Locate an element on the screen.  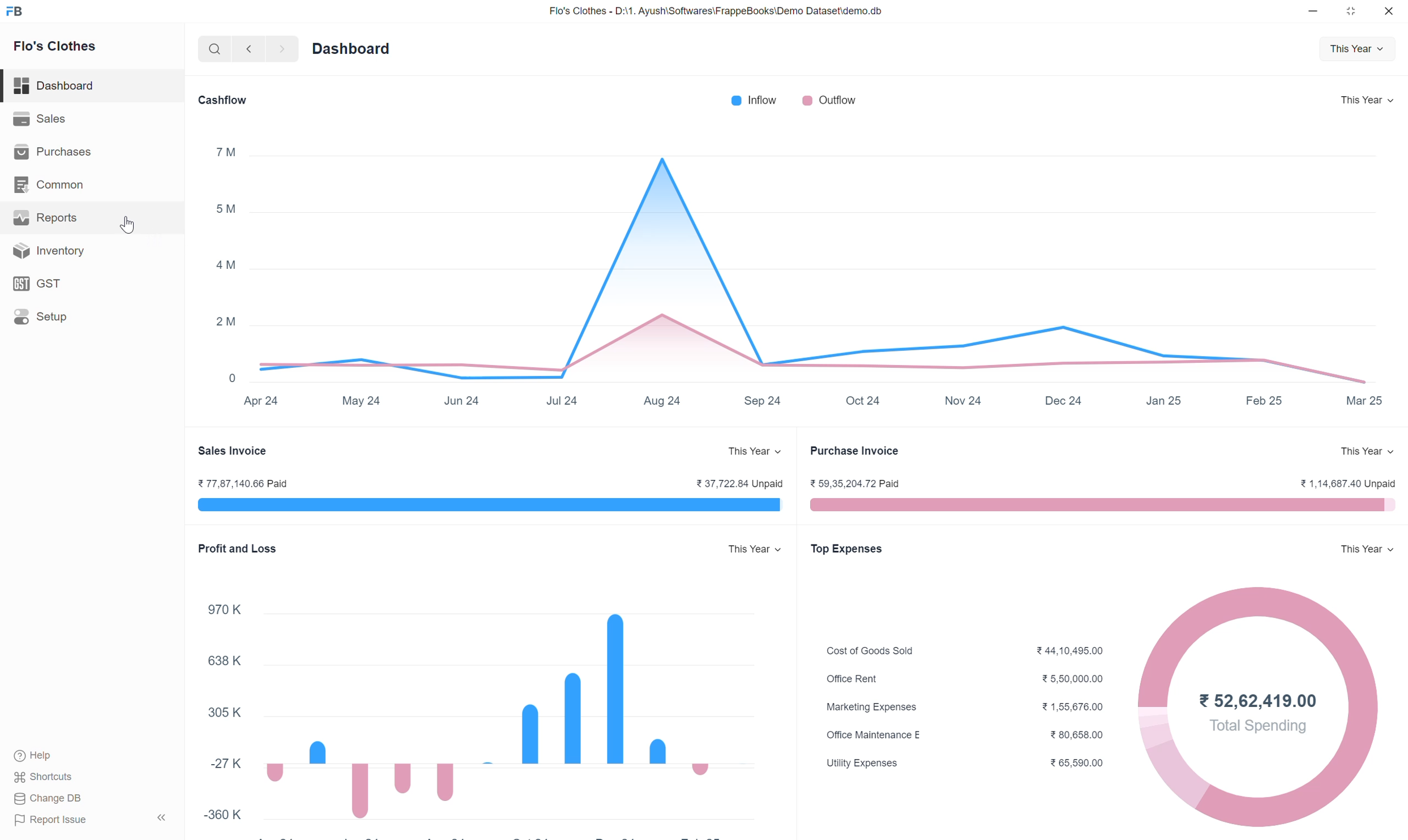
Apr 24 is located at coordinates (260, 401).